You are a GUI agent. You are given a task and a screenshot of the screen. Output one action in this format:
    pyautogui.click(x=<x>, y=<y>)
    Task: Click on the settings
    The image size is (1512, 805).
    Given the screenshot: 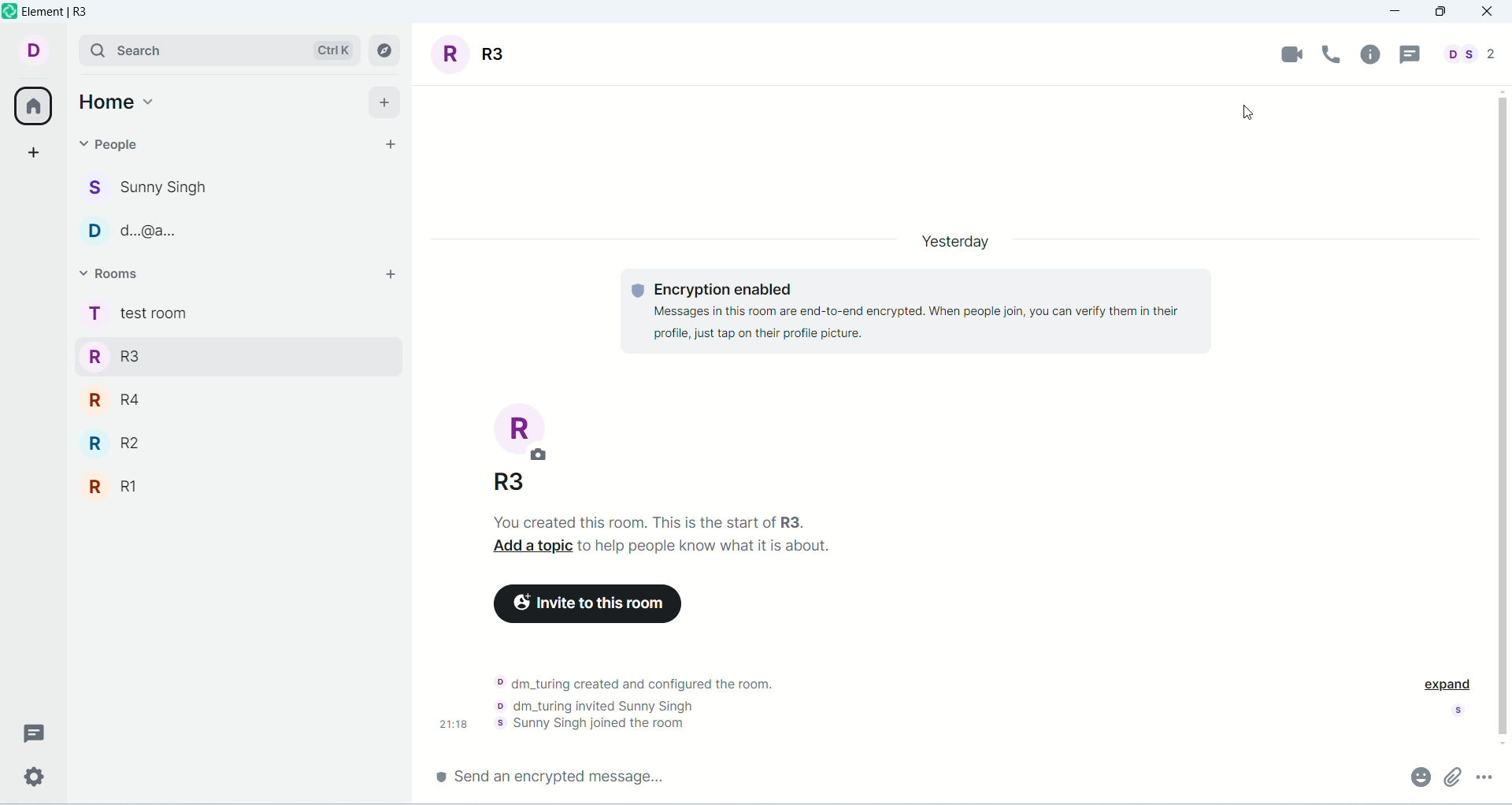 What is the action you would take?
    pyautogui.click(x=35, y=777)
    